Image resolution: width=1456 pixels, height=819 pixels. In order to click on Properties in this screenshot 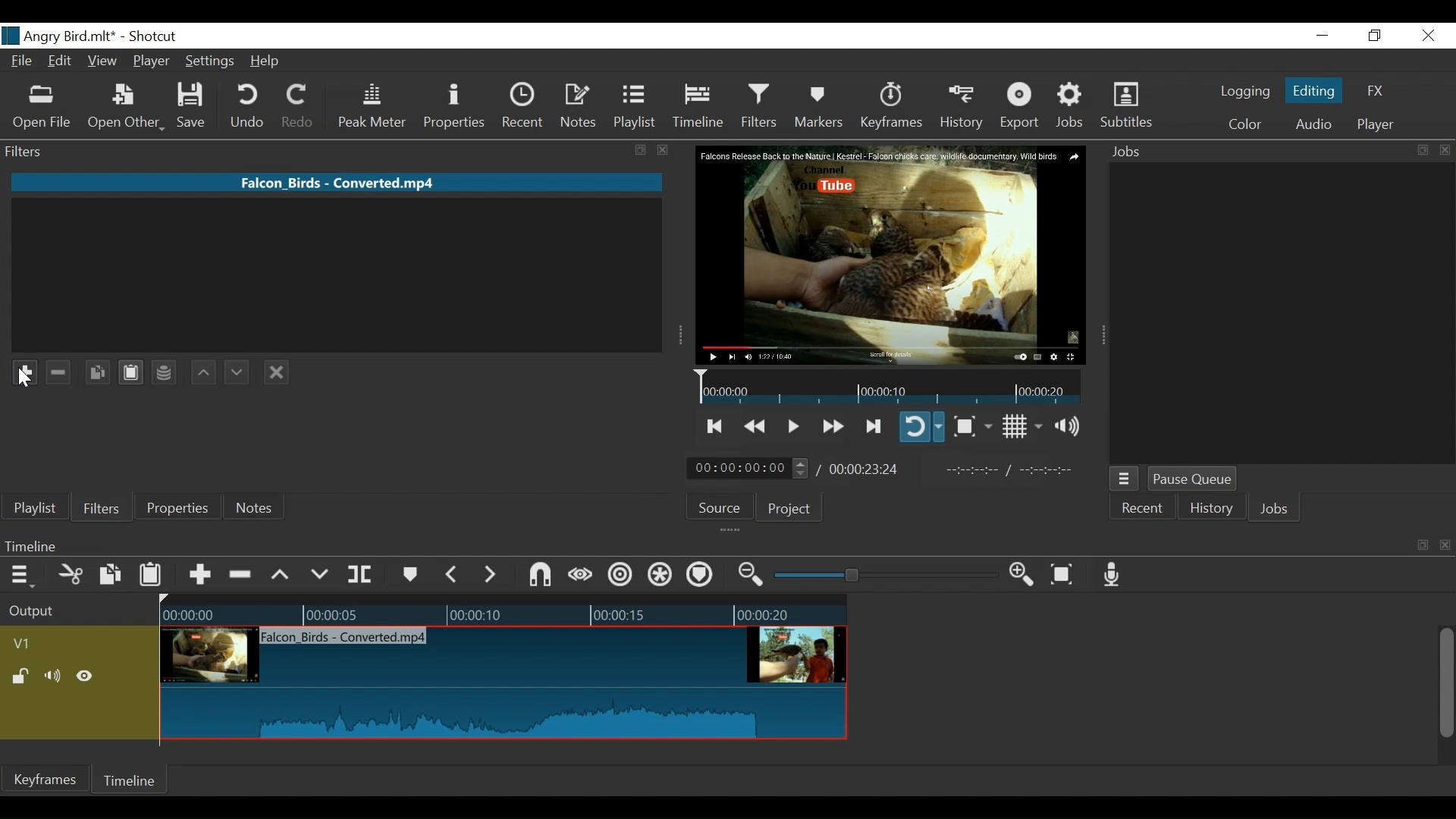, I will do `click(175, 507)`.